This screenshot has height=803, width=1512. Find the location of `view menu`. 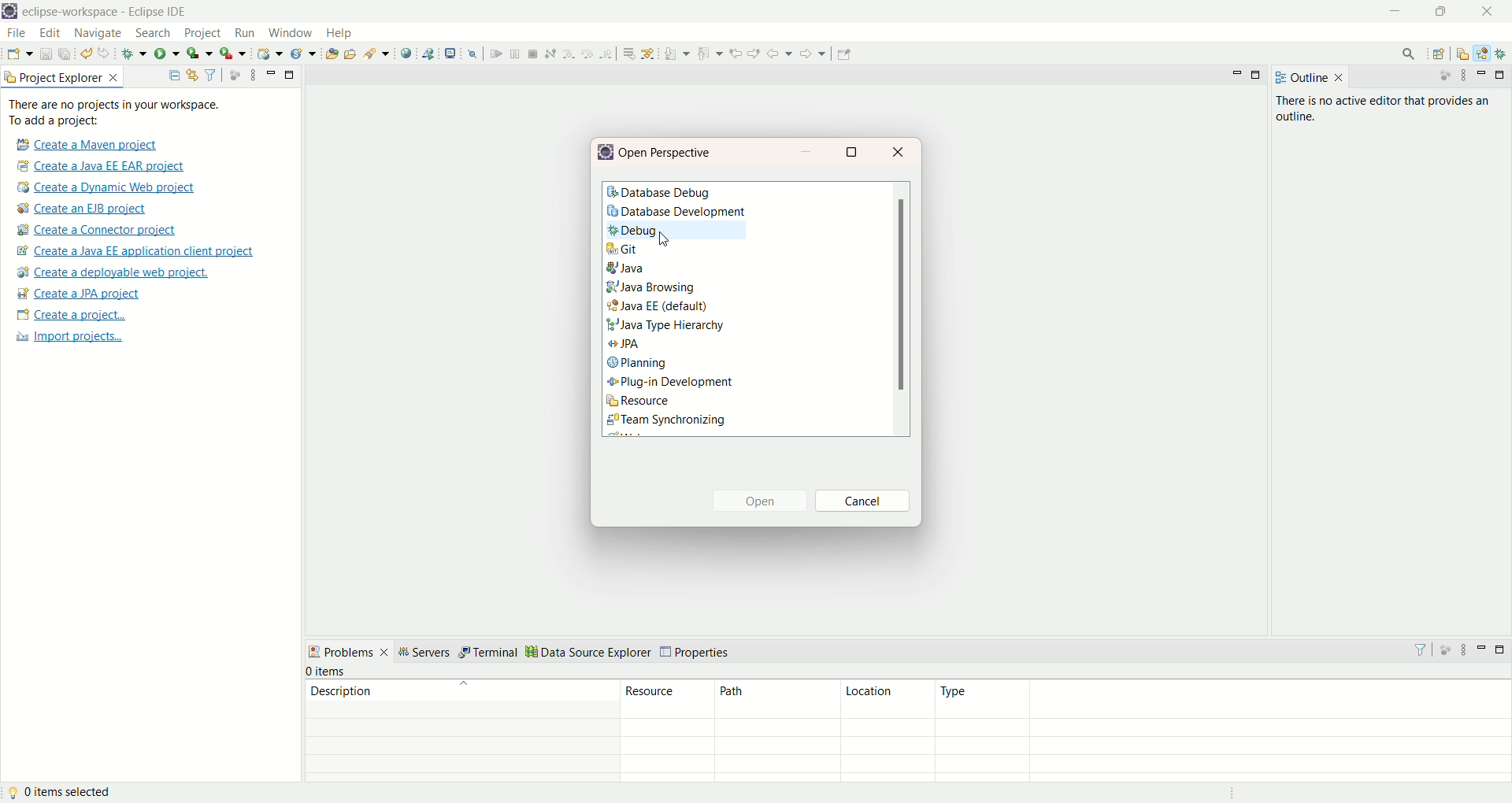

view menu is located at coordinates (252, 76).